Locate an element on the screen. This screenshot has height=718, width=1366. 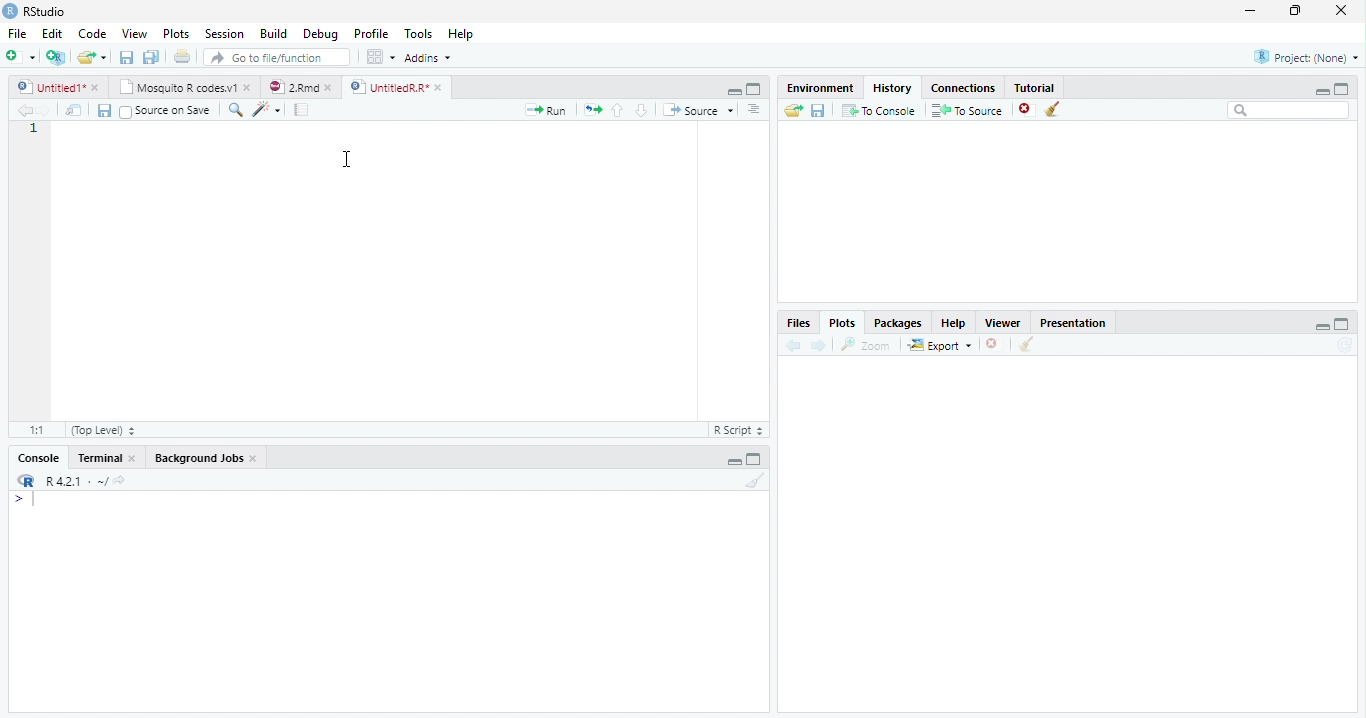
Compile Report is located at coordinates (303, 109).